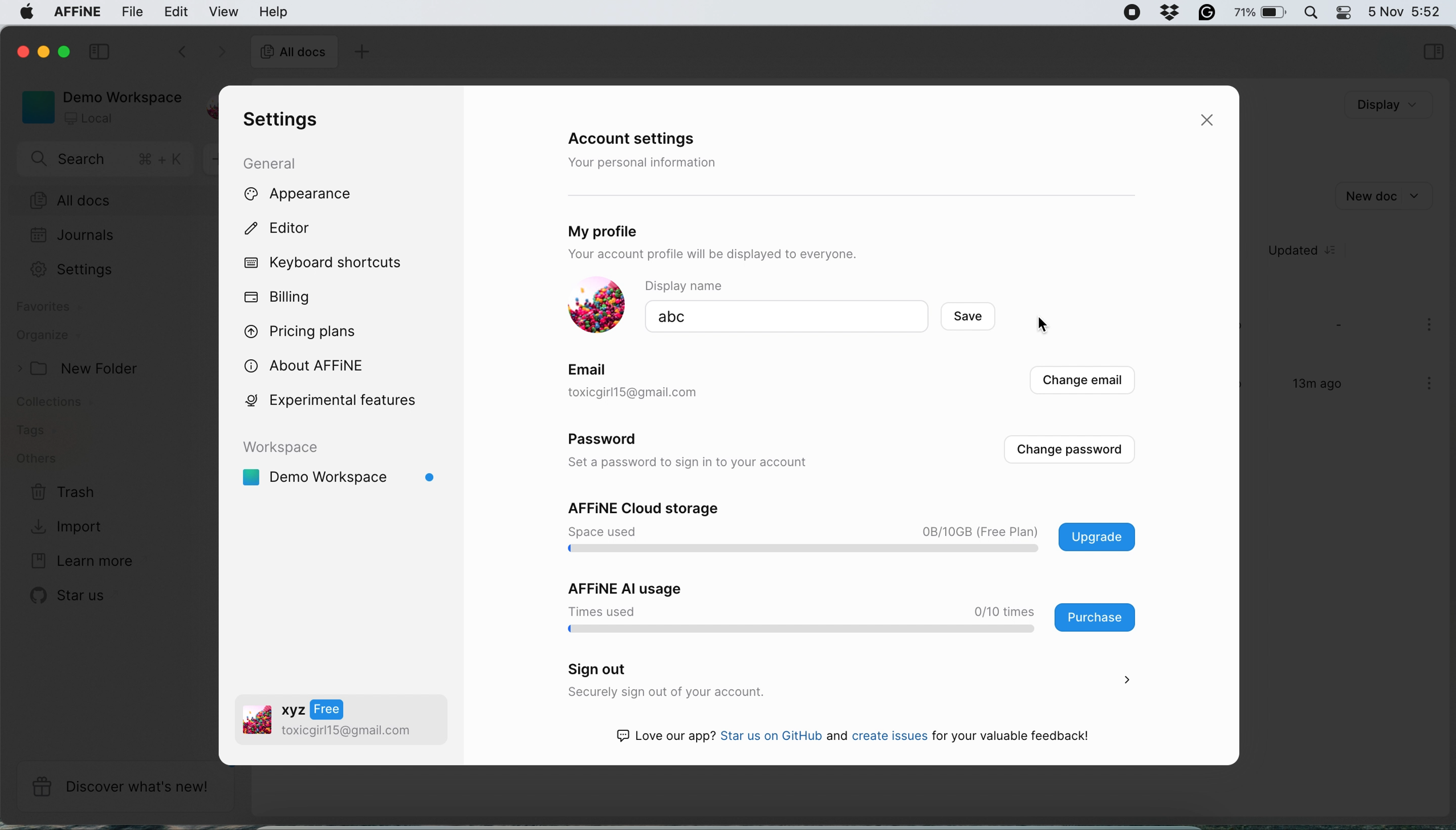  I want to click on 75%, so click(1260, 14).